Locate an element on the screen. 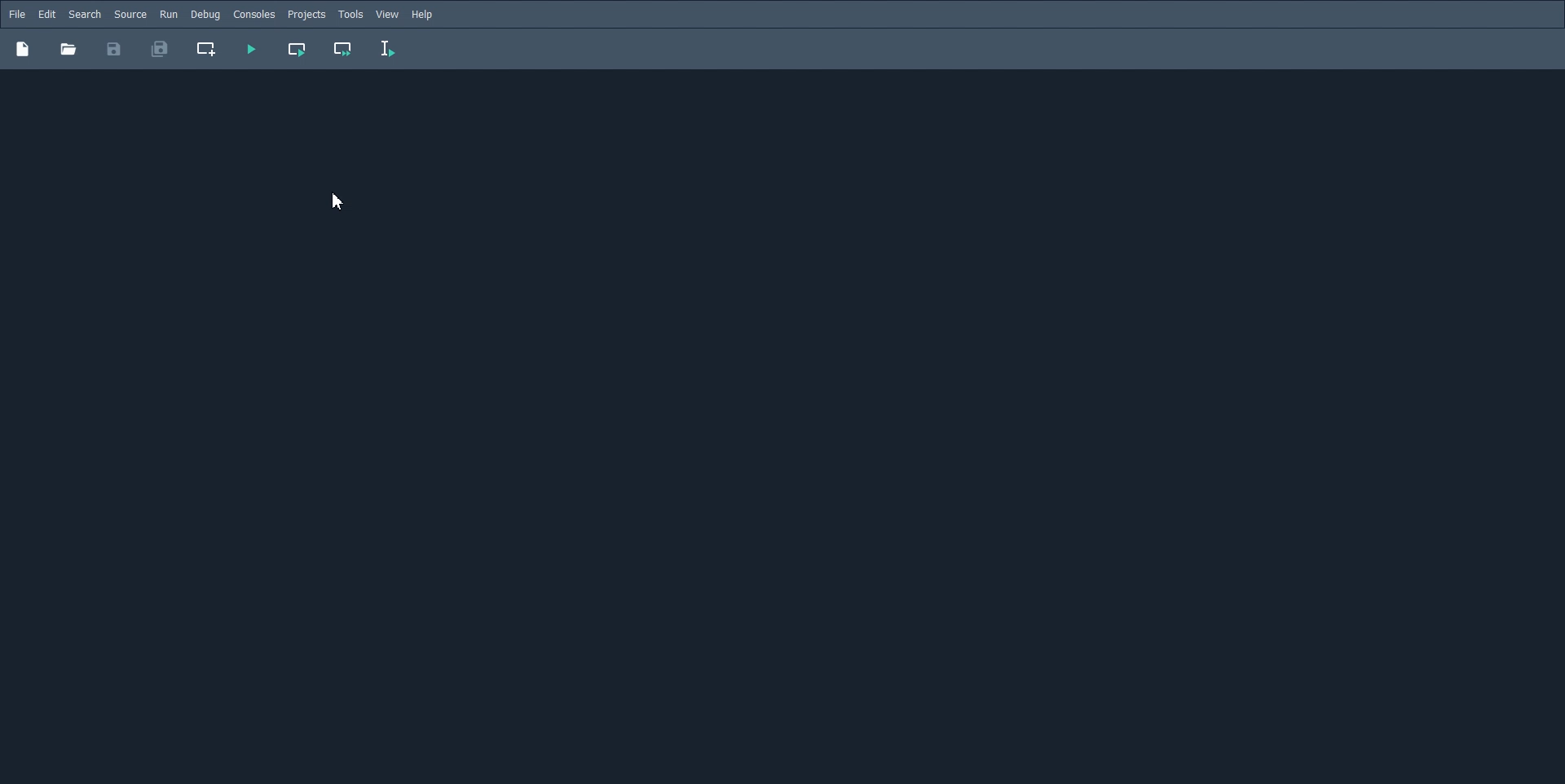  Help is located at coordinates (424, 15).